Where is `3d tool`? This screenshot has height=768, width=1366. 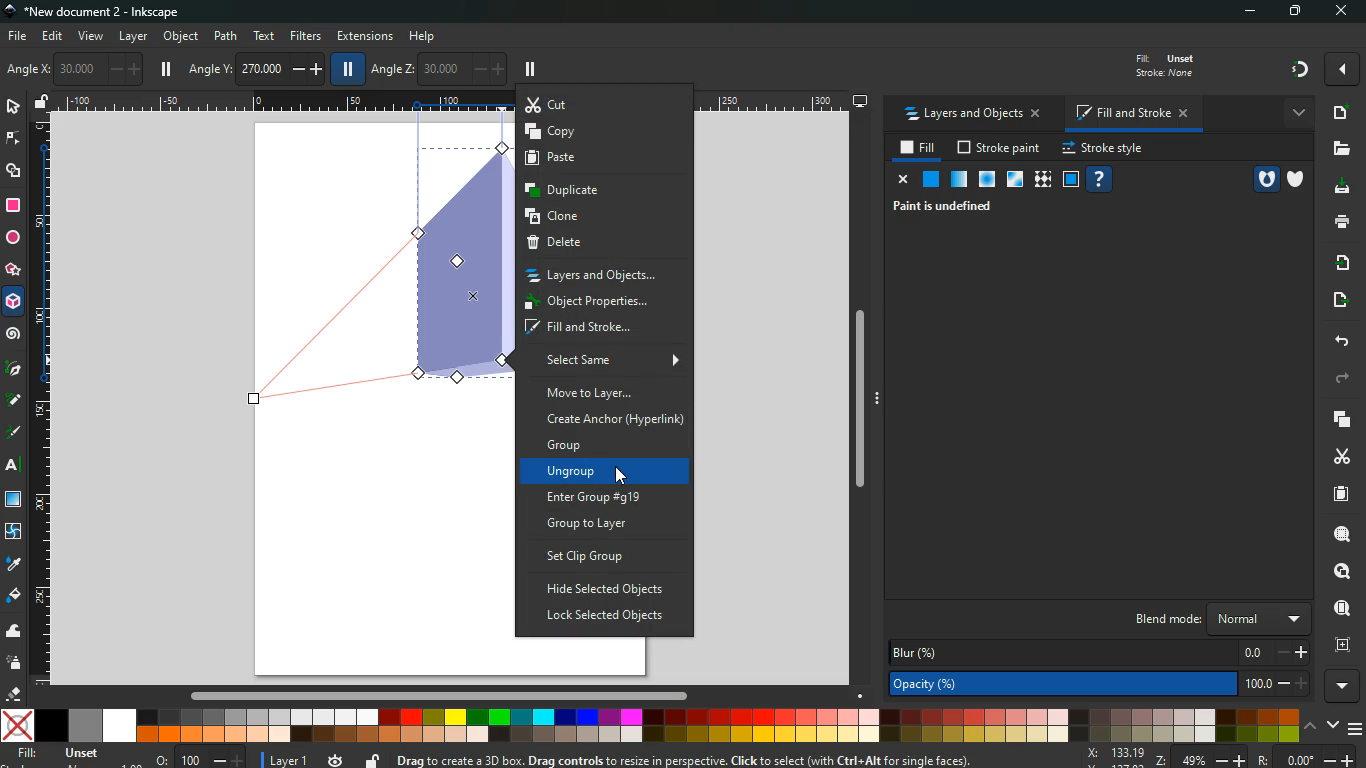 3d tool is located at coordinates (382, 264).